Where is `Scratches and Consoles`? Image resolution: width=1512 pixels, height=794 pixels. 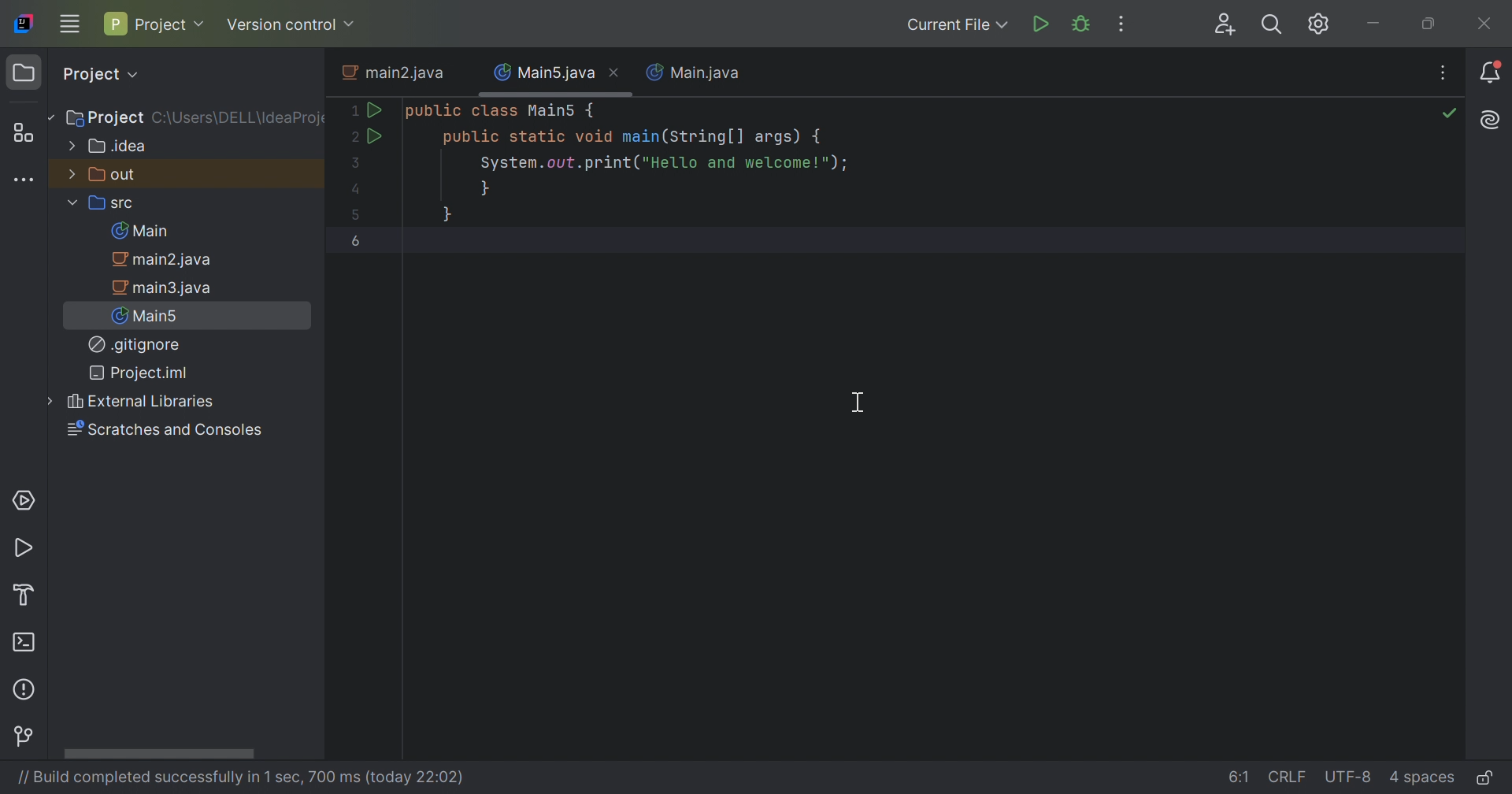 Scratches and Consoles is located at coordinates (164, 431).